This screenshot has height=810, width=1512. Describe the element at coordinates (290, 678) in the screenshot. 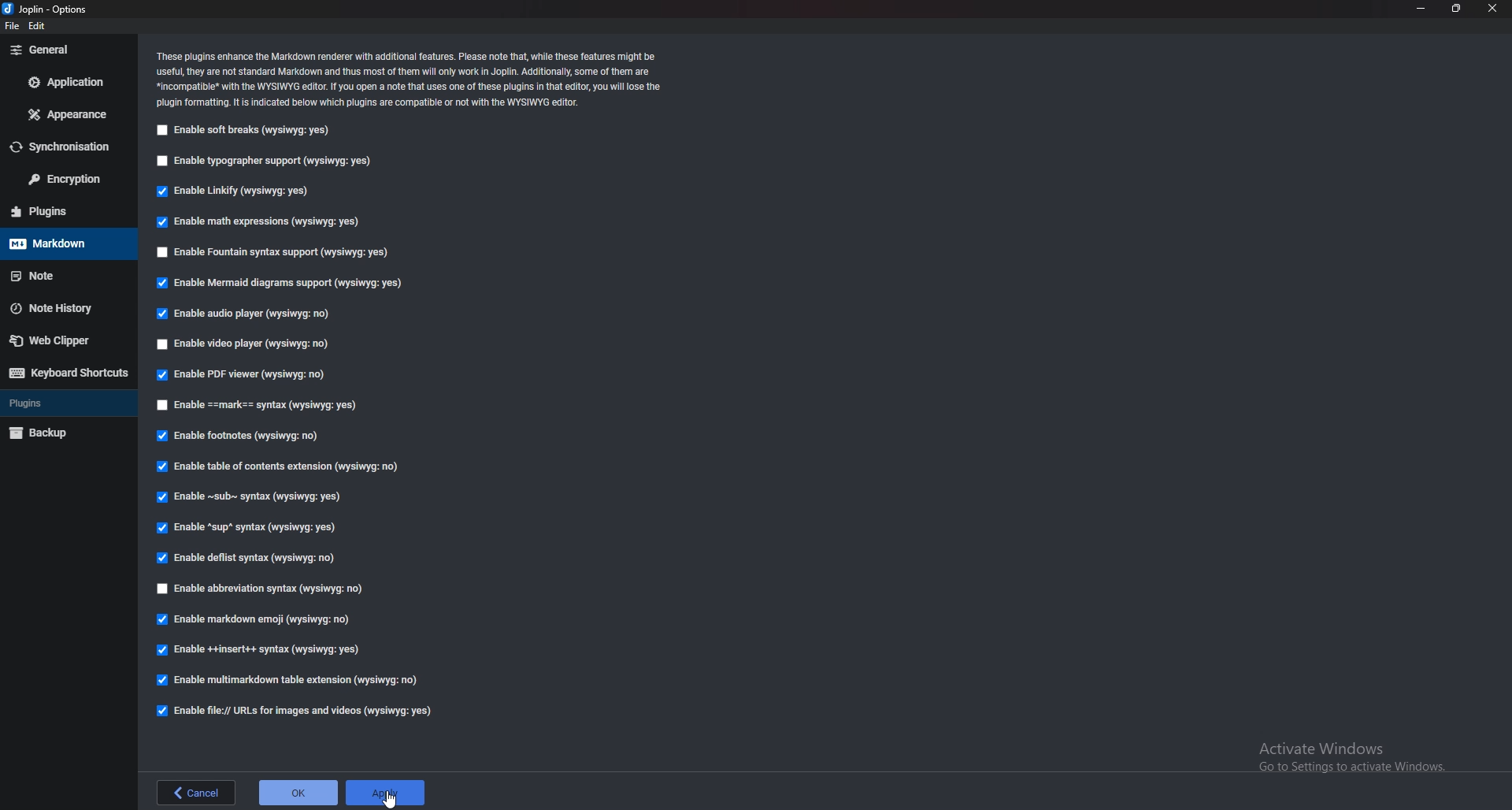

I see `enable multi markdown table extension` at that location.